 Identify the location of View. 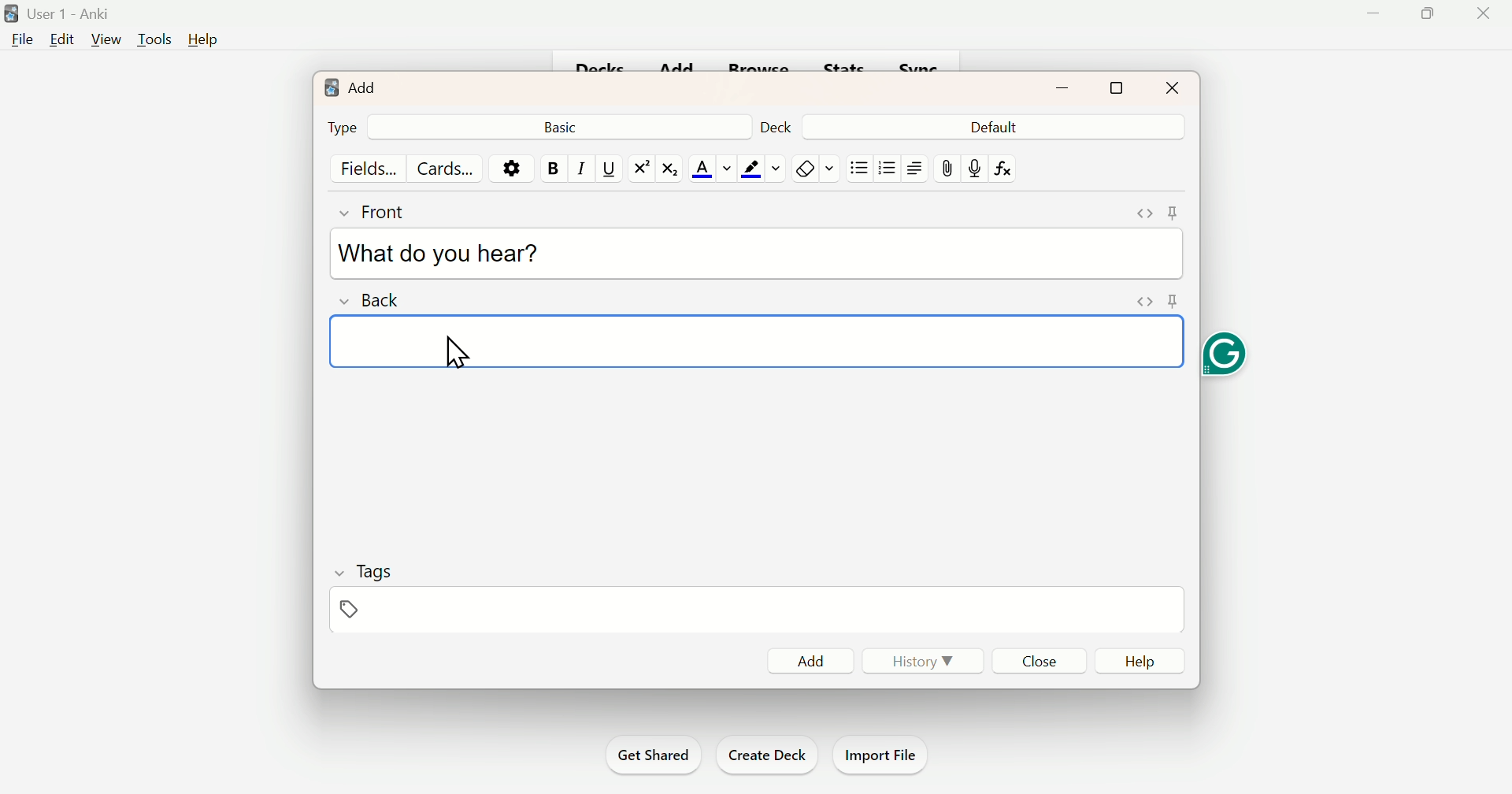
(104, 40).